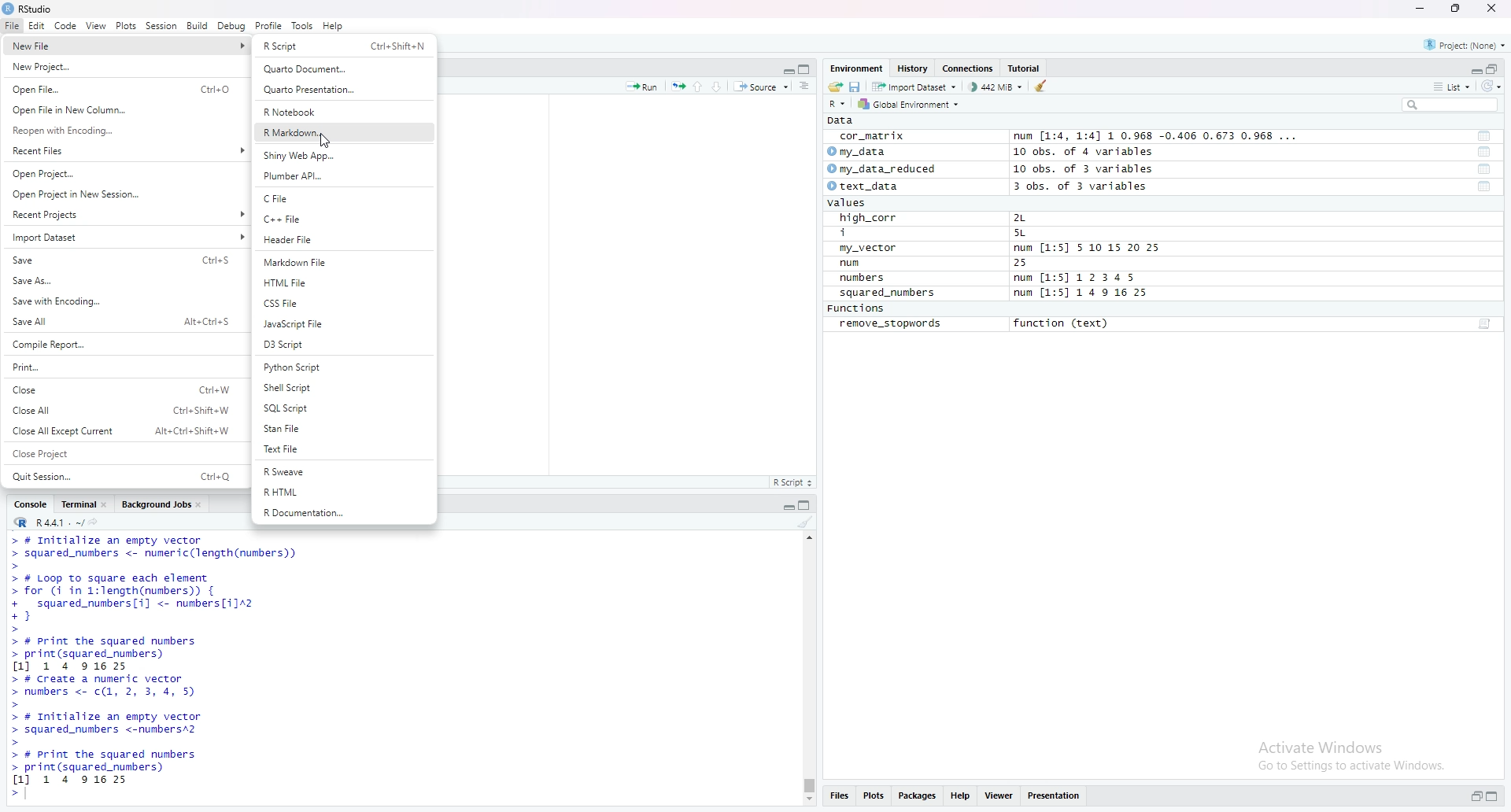  What do you see at coordinates (806, 783) in the screenshot?
I see `vbertical Scrollbar ` at bounding box center [806, 783].